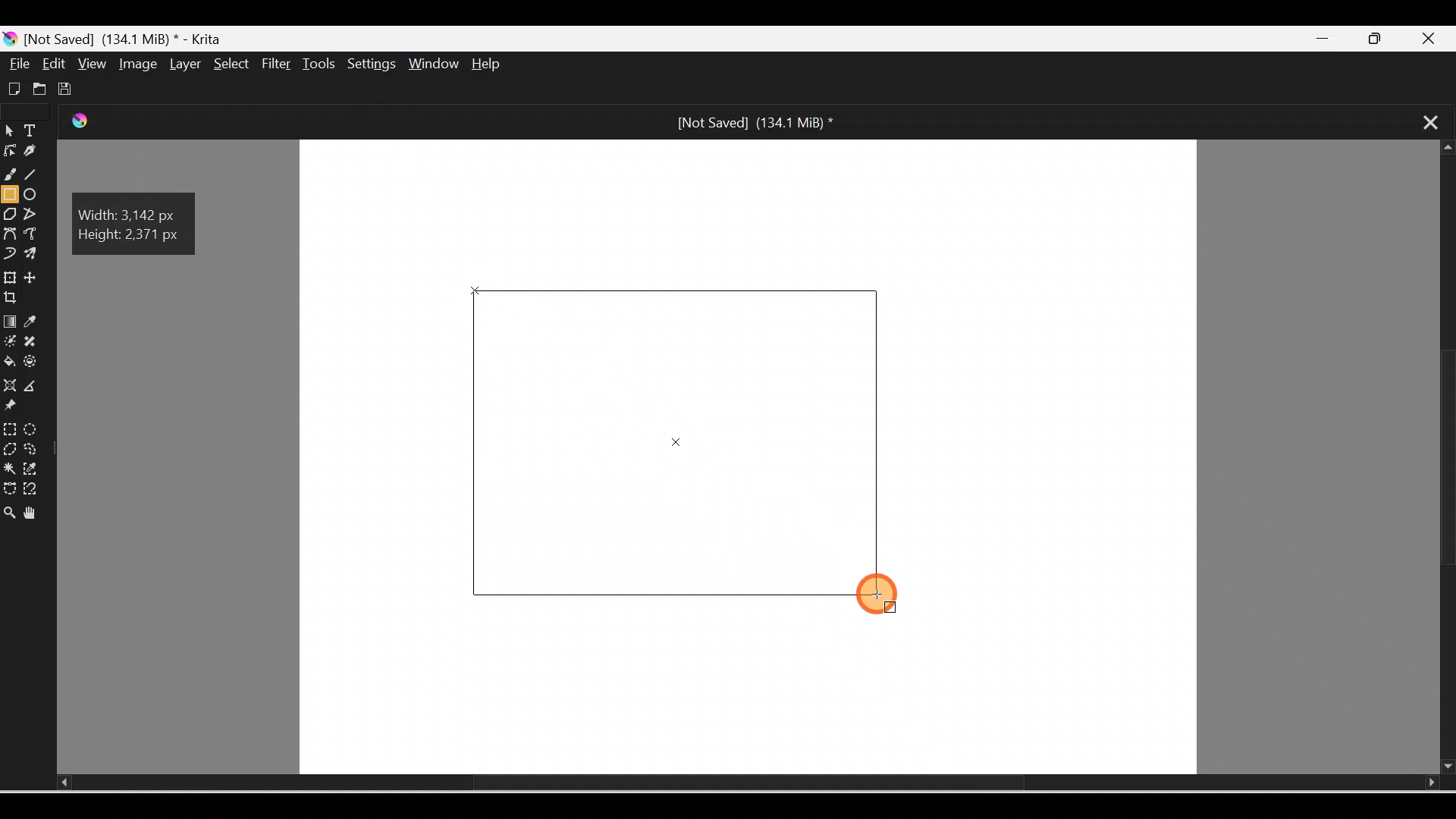 The width and height of the screenshot is (1456, 819). Describe the element at coordinates (436, 65) in the screenshot. I see `Window` at that location.